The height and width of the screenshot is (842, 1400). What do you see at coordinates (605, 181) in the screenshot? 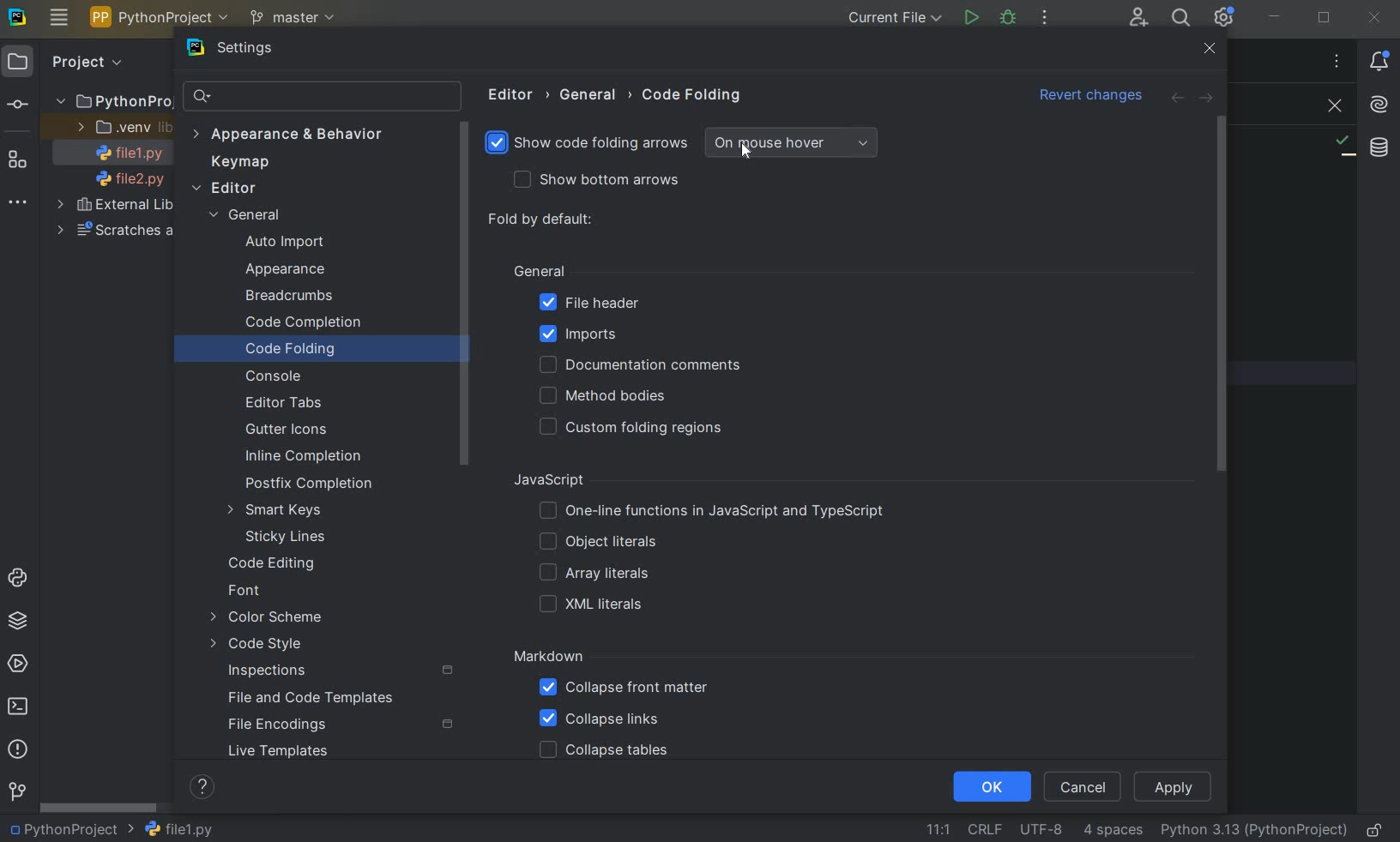
I see `SHOW BUTTON ARROWS` at bounding box center [605, 181].